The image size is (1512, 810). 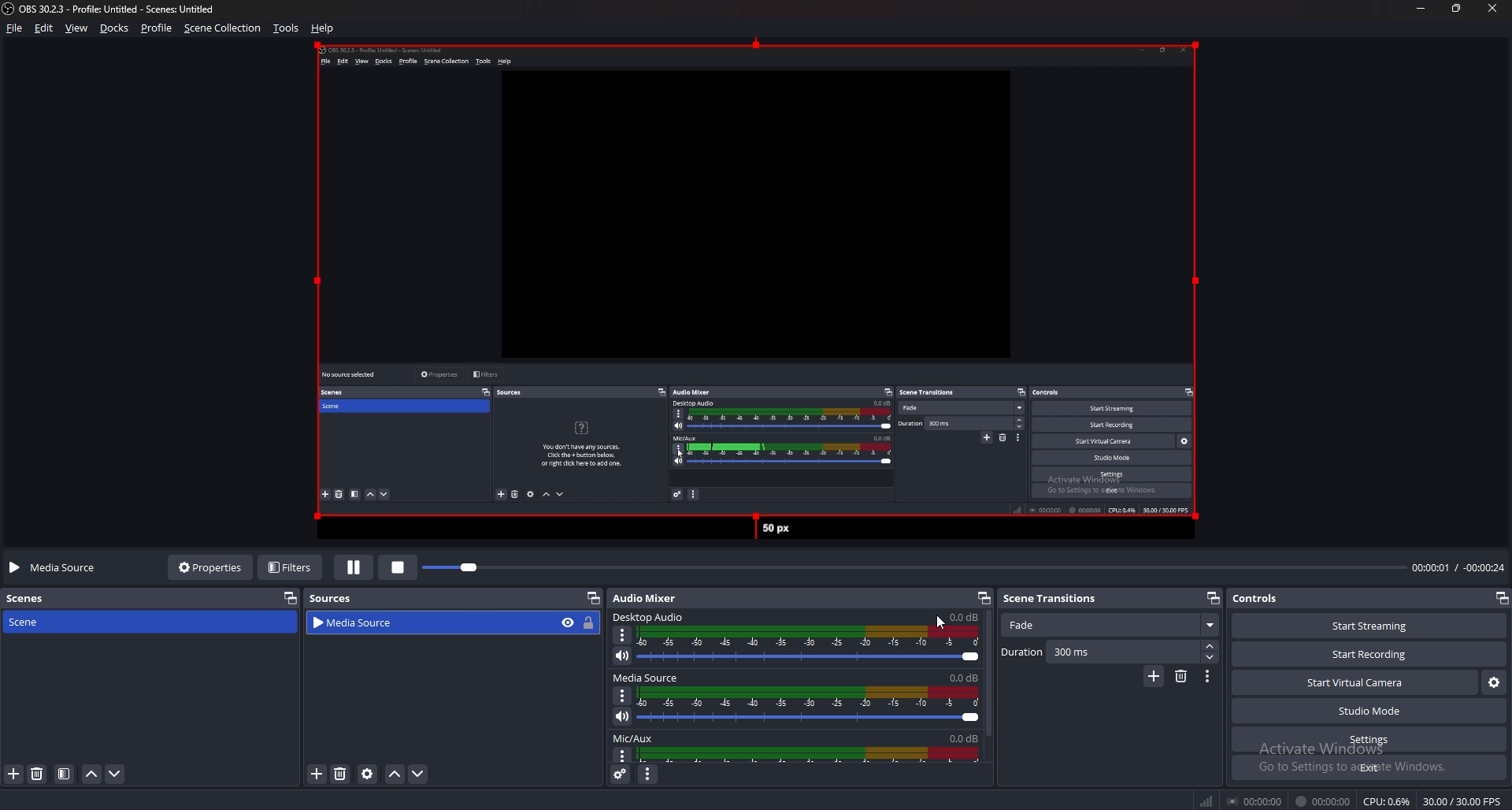 What do you see at coordinates (1323, 801) in the screenshot?
I see `00:00:00` at bounding box center [1323, 801].